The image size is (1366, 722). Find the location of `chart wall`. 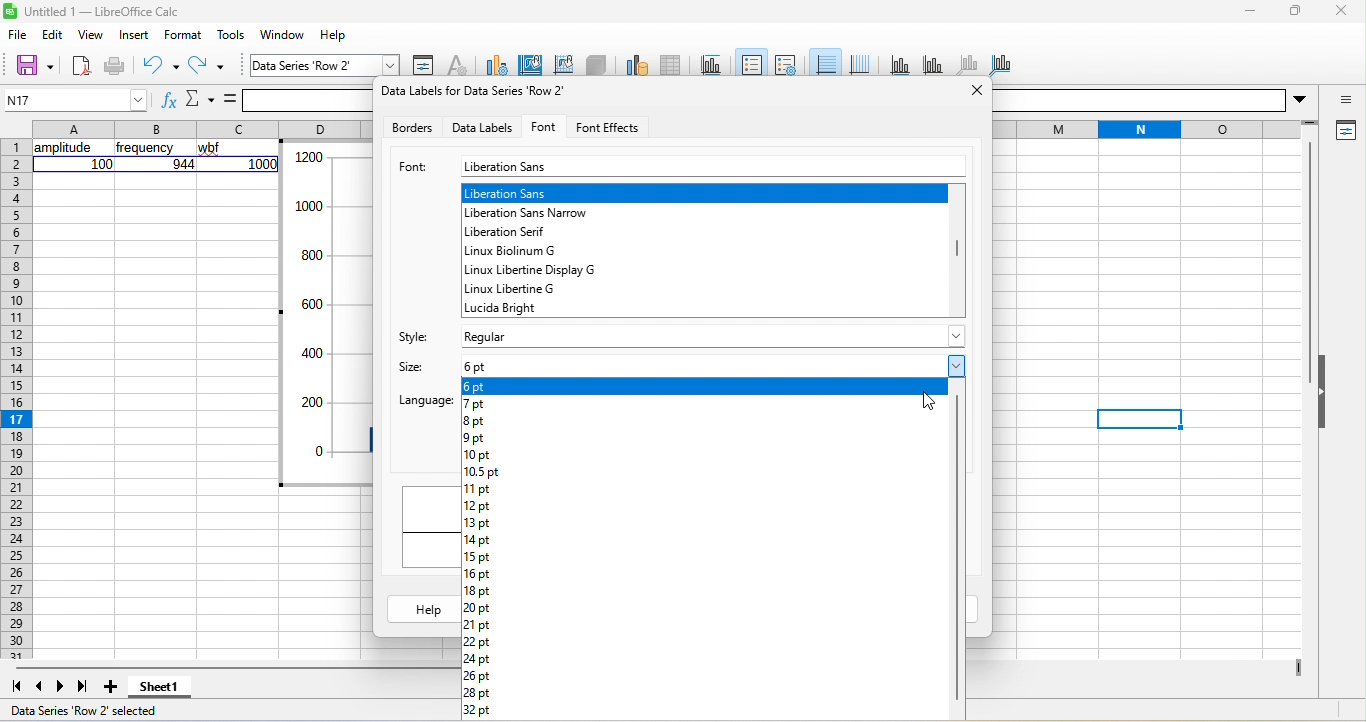

chart wall is located at coordinates (563, 63).